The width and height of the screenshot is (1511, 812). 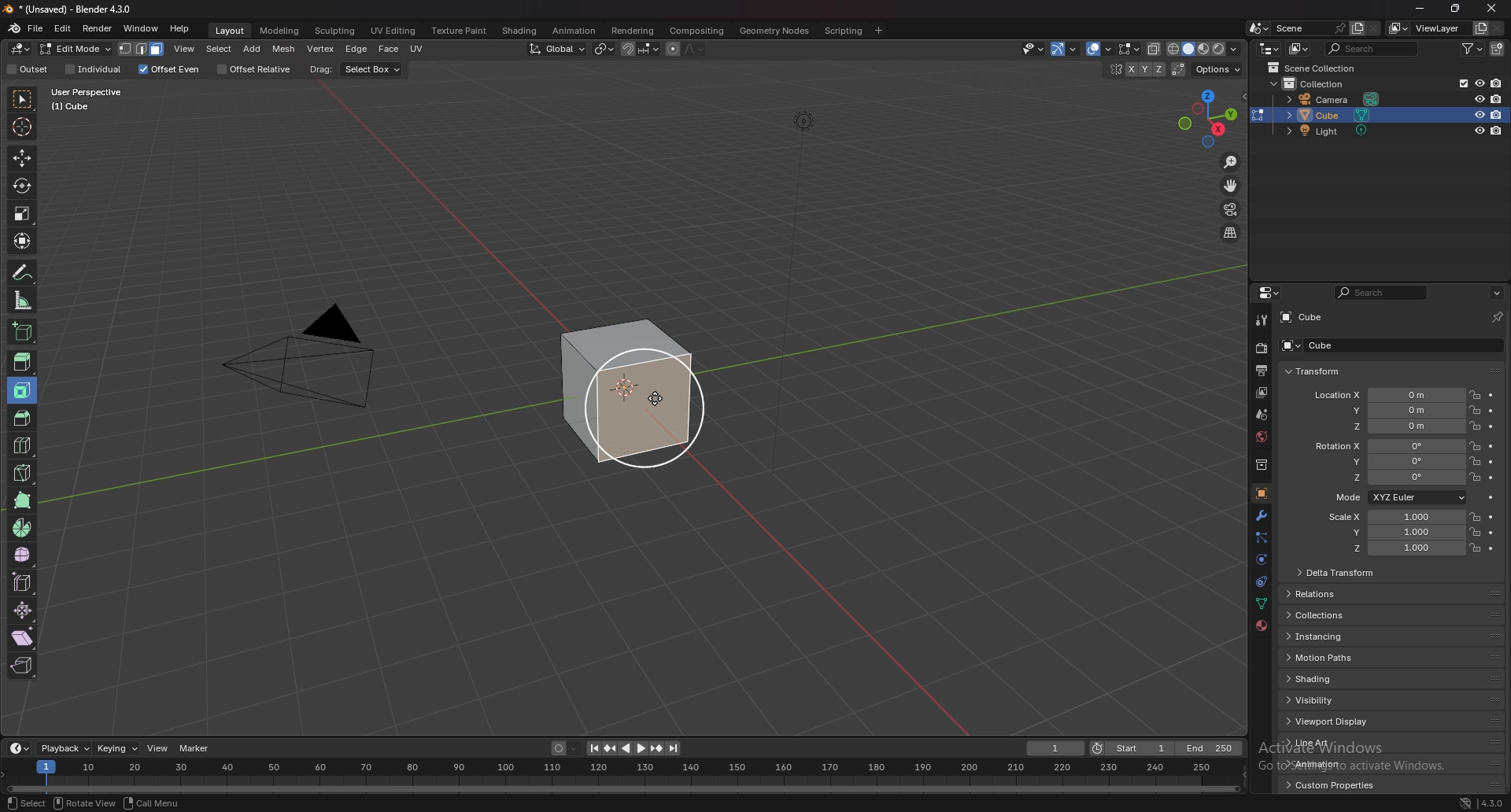 I want to click on help, so click(x=180, y=28).